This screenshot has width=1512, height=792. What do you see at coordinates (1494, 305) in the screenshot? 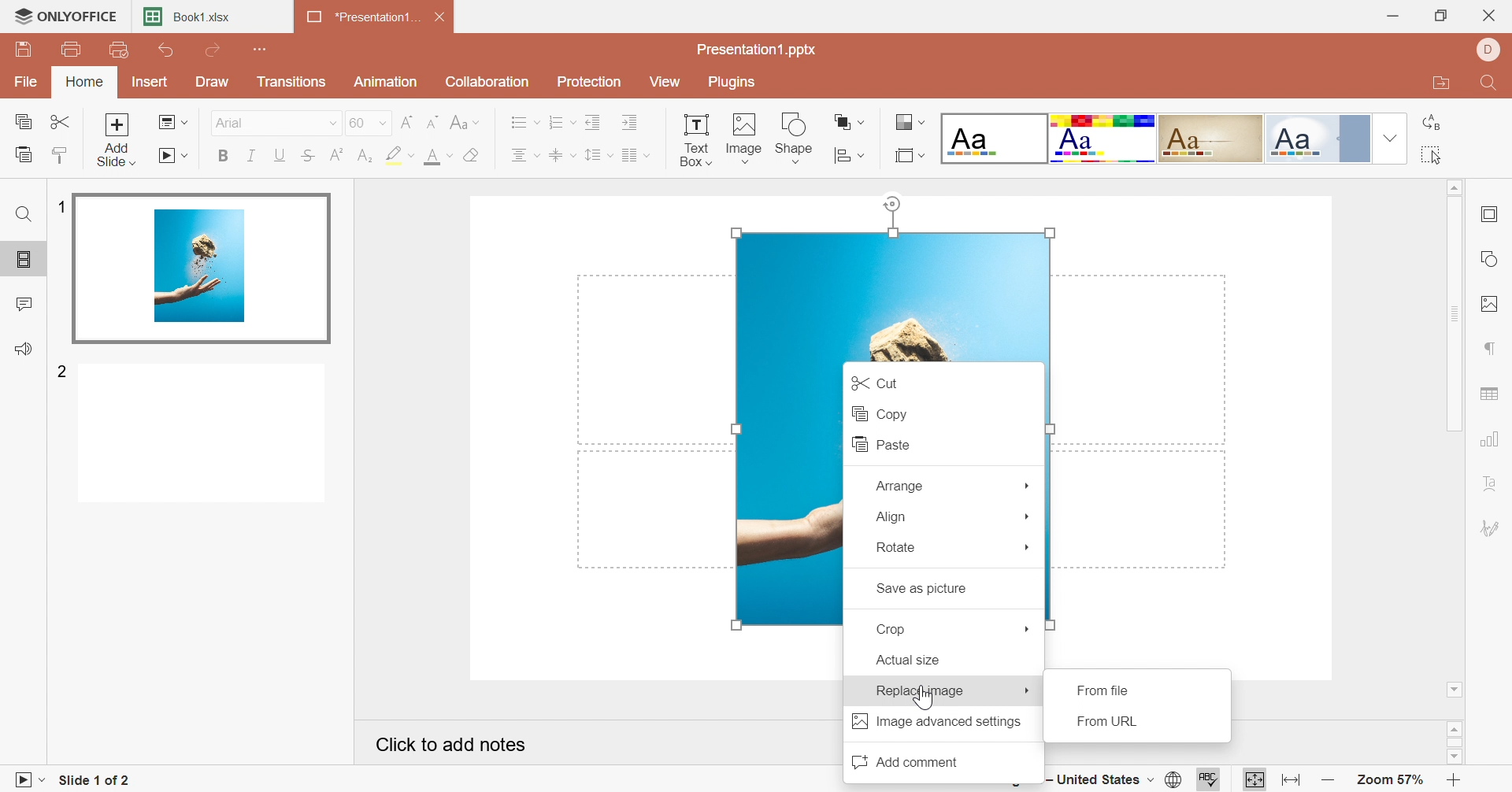
I see `image settings` at bounding box center [1494, 305].